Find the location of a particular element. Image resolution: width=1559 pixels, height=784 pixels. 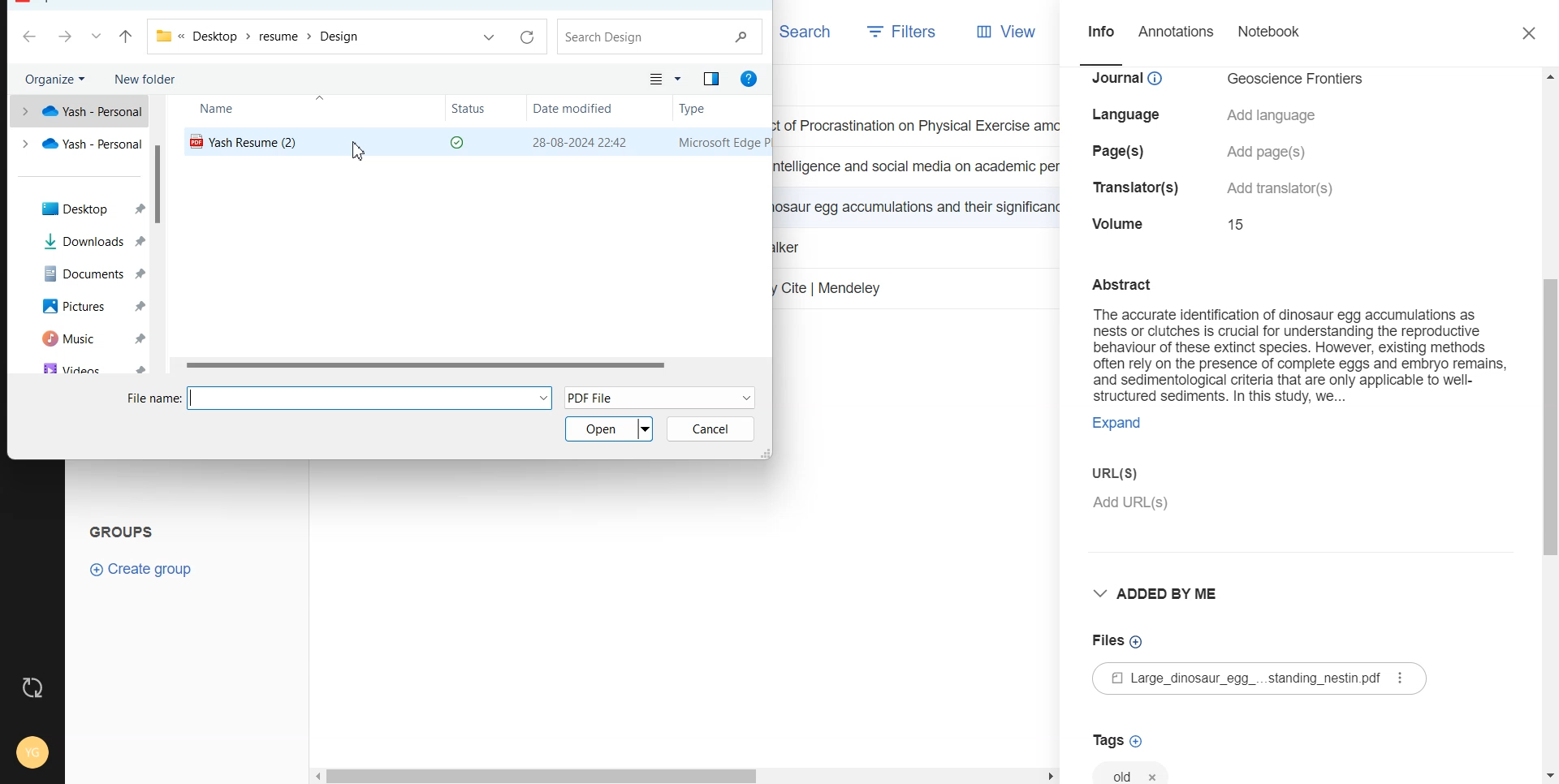

Date modified is located at coordinates (577, 110).